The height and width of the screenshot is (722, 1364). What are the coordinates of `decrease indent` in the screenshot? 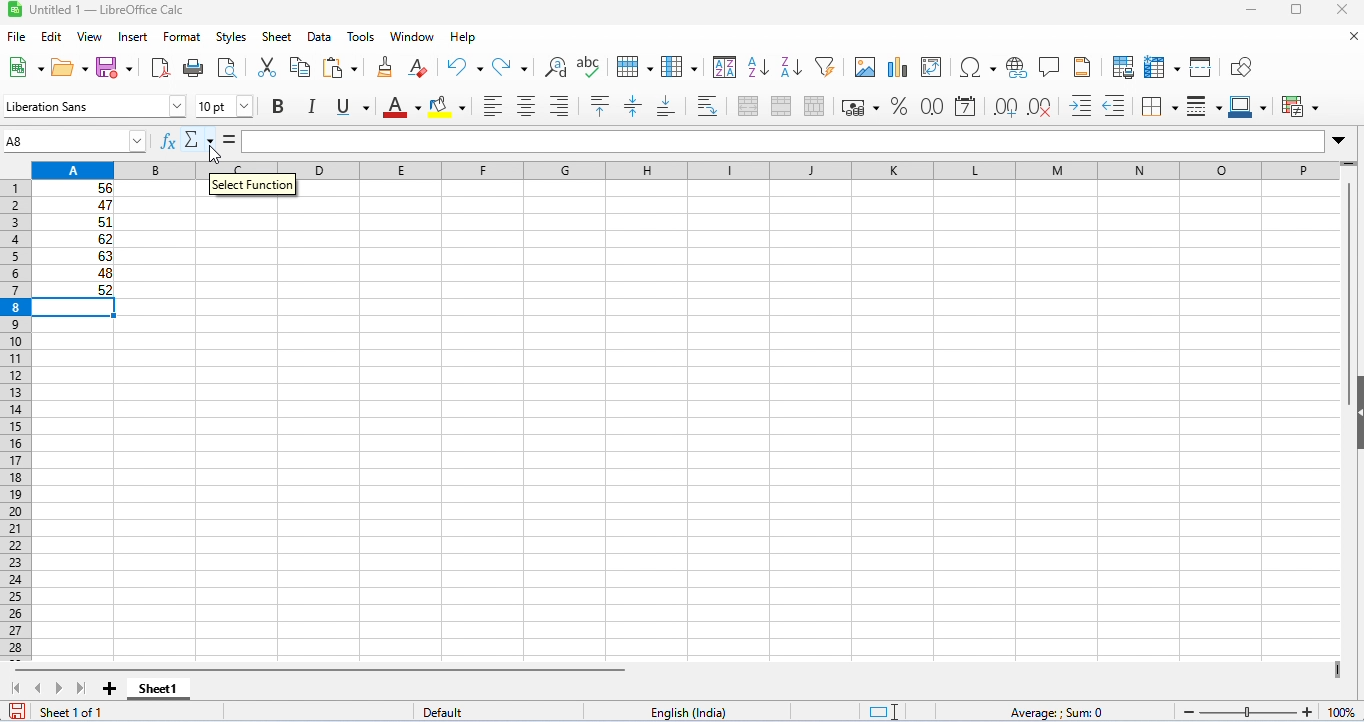 It's located at (1115, 106).